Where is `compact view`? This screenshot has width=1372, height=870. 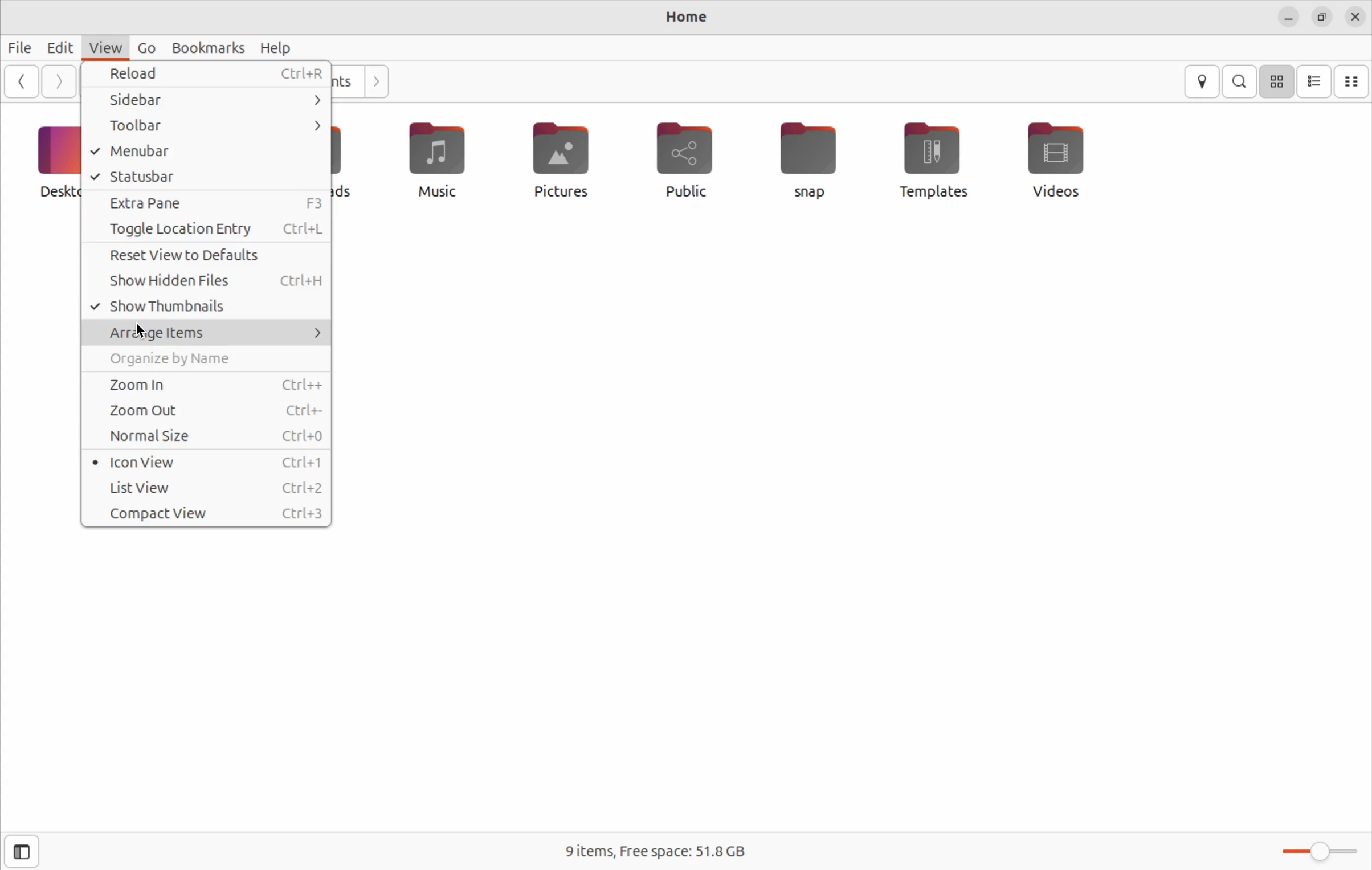 compact view is located at coordinates (208, 514).